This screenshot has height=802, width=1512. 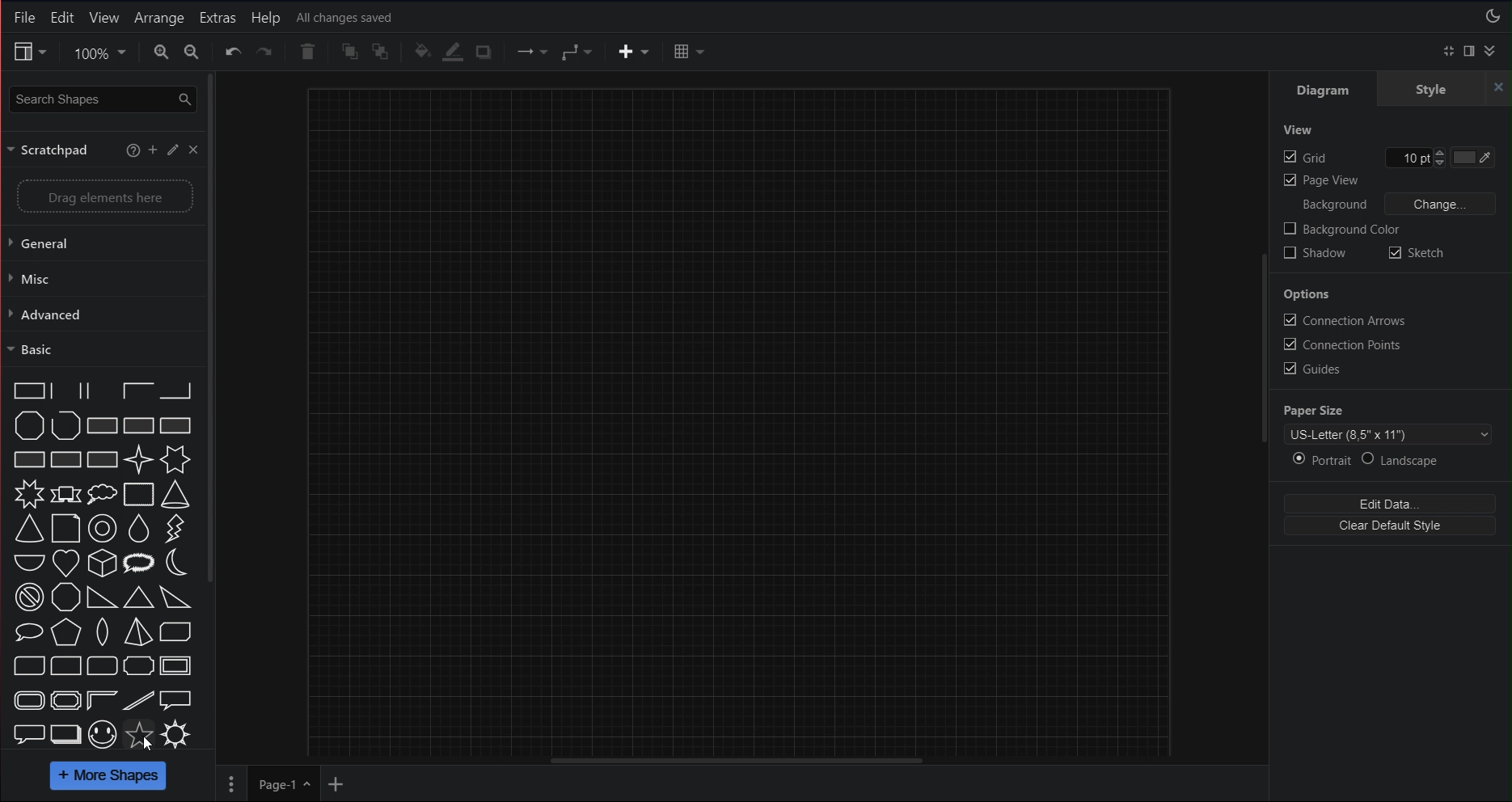 What do you see at coordinates (1342, 344) in the screenshot?
I see `Connection Points` at bounding box center [1342, 344].